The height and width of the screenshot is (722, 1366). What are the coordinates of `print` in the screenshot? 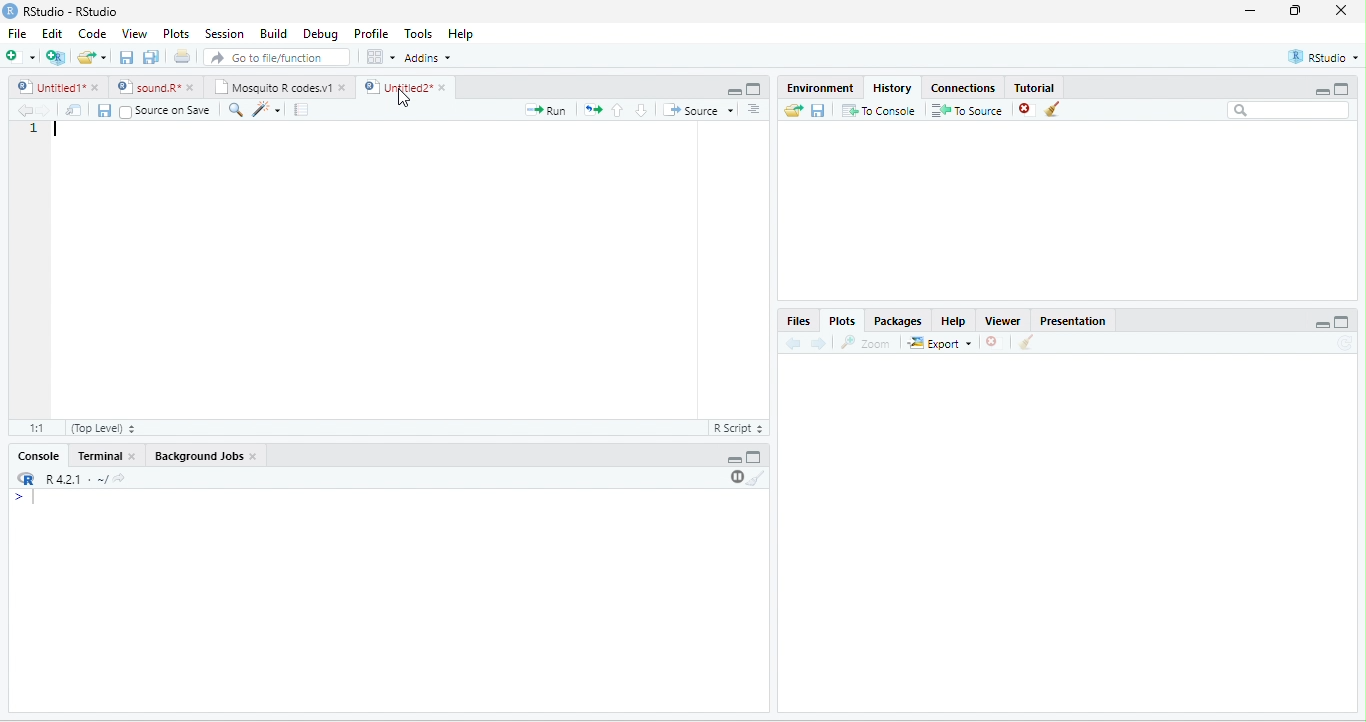 It's located at (181, 56).